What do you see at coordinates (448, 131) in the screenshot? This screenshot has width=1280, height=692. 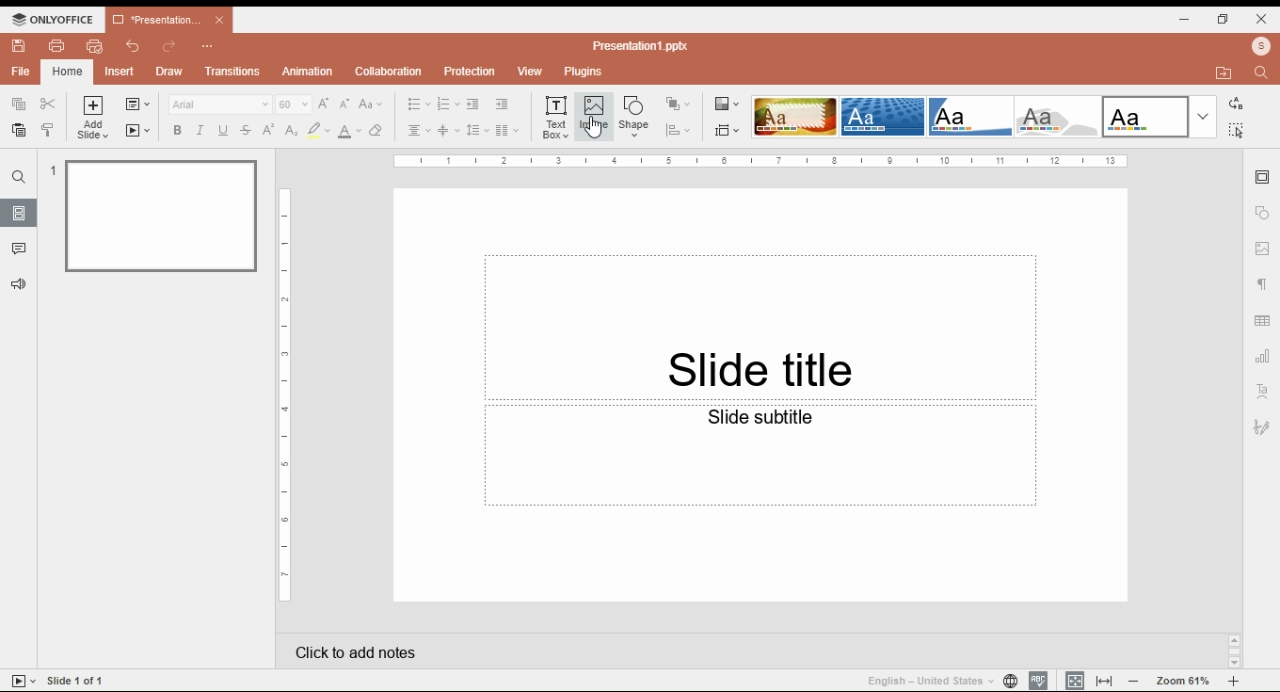 I see `vertical alignment` at bounding box center [448, 131].